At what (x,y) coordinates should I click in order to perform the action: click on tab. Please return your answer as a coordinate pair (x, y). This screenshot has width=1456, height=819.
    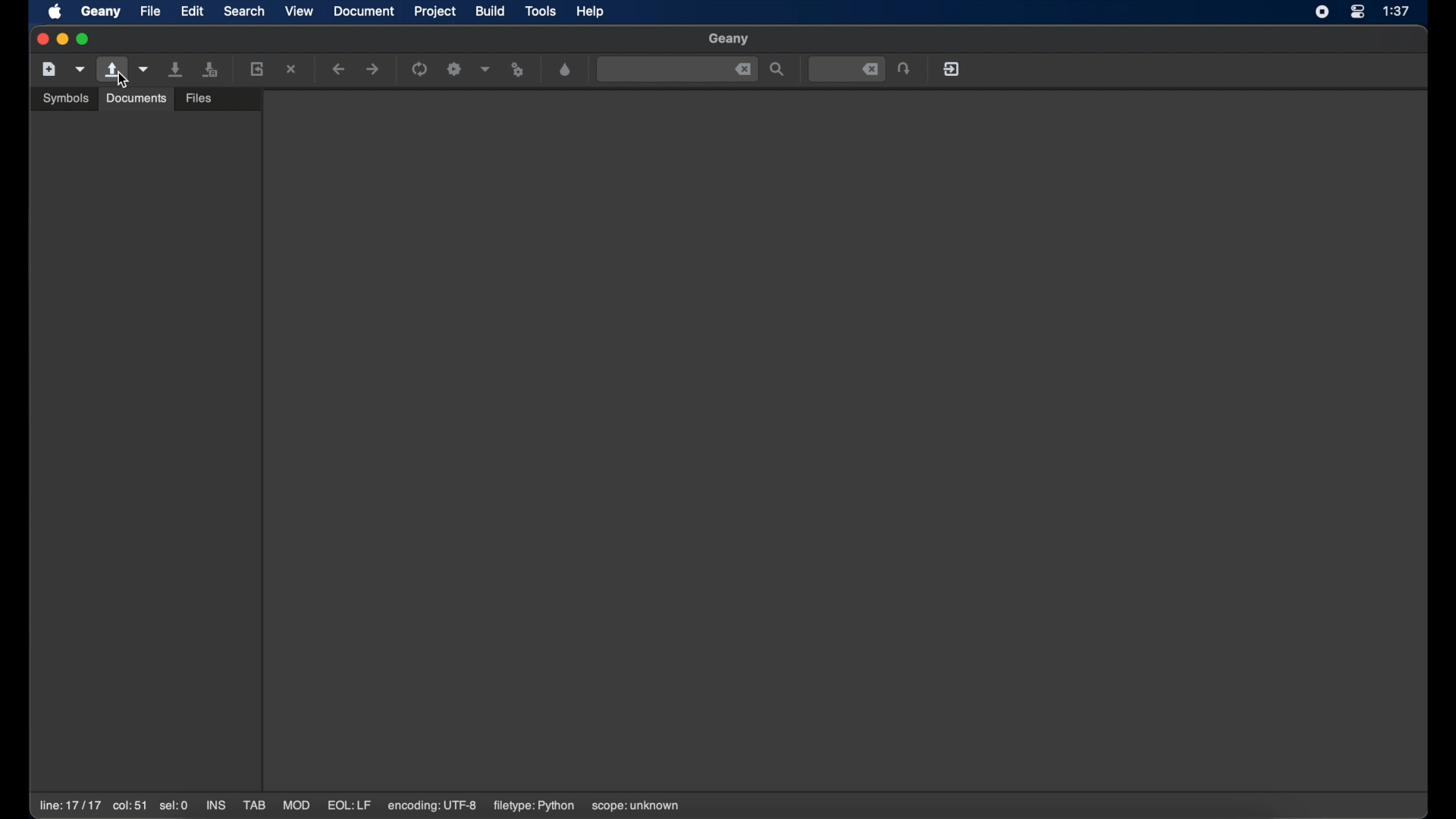
    Looking at the image, I should click on (255, 805).